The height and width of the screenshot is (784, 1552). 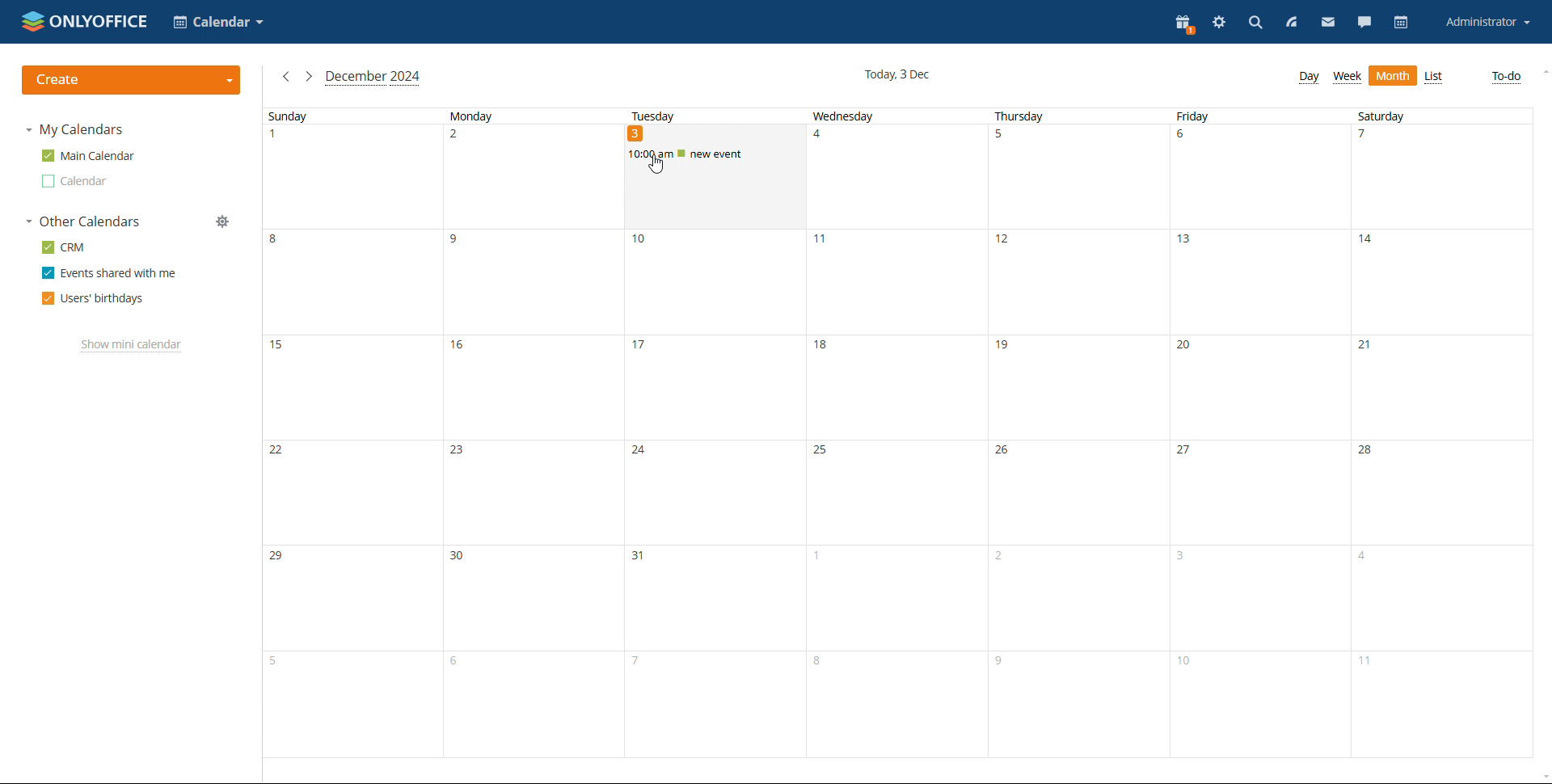 What do you see at coordinates (84, 221) in the screenshot?
I see `other calendars` at bounding box center [84, 221].